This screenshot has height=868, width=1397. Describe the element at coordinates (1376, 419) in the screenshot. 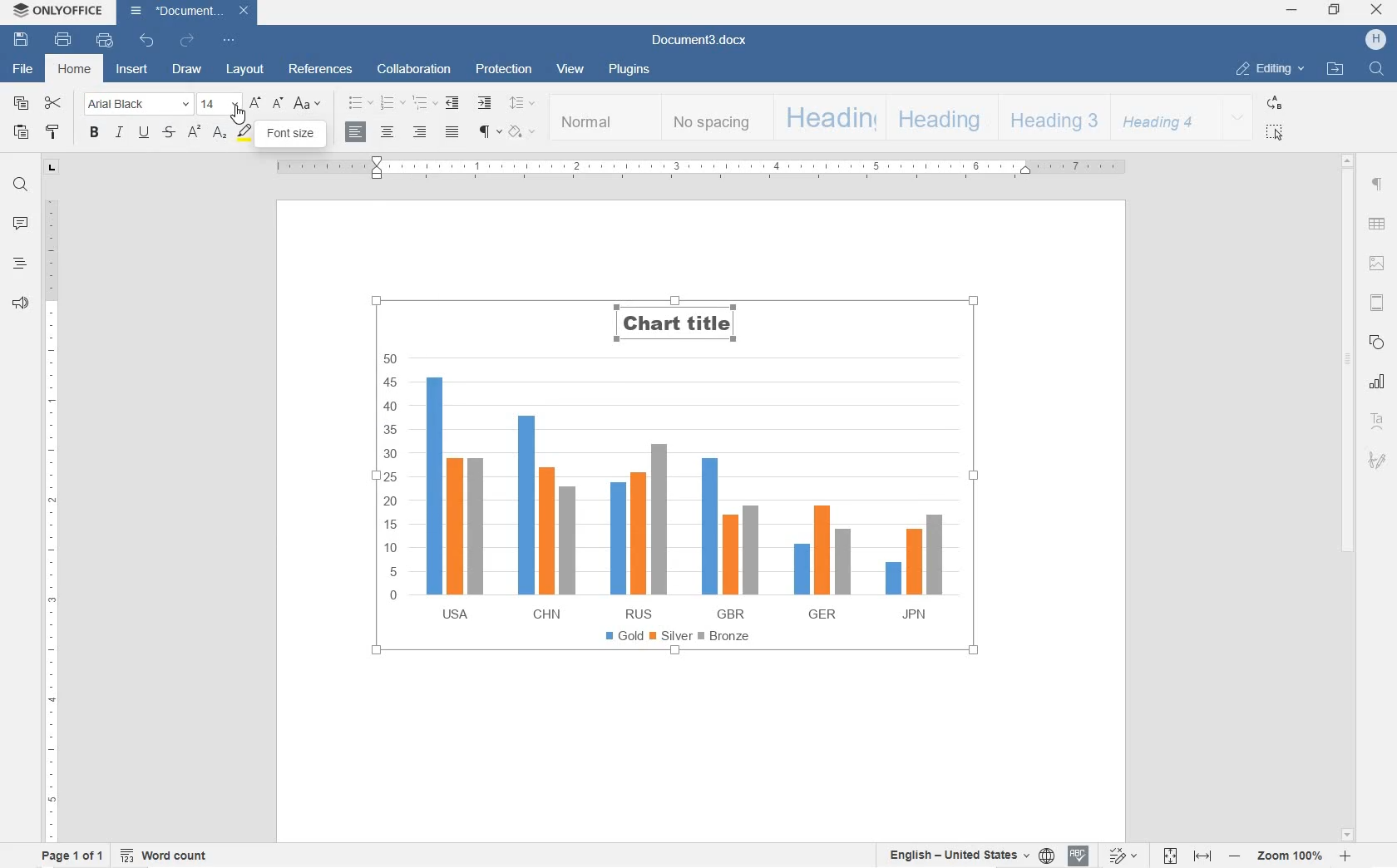

I see `TEXT ART` at that location.